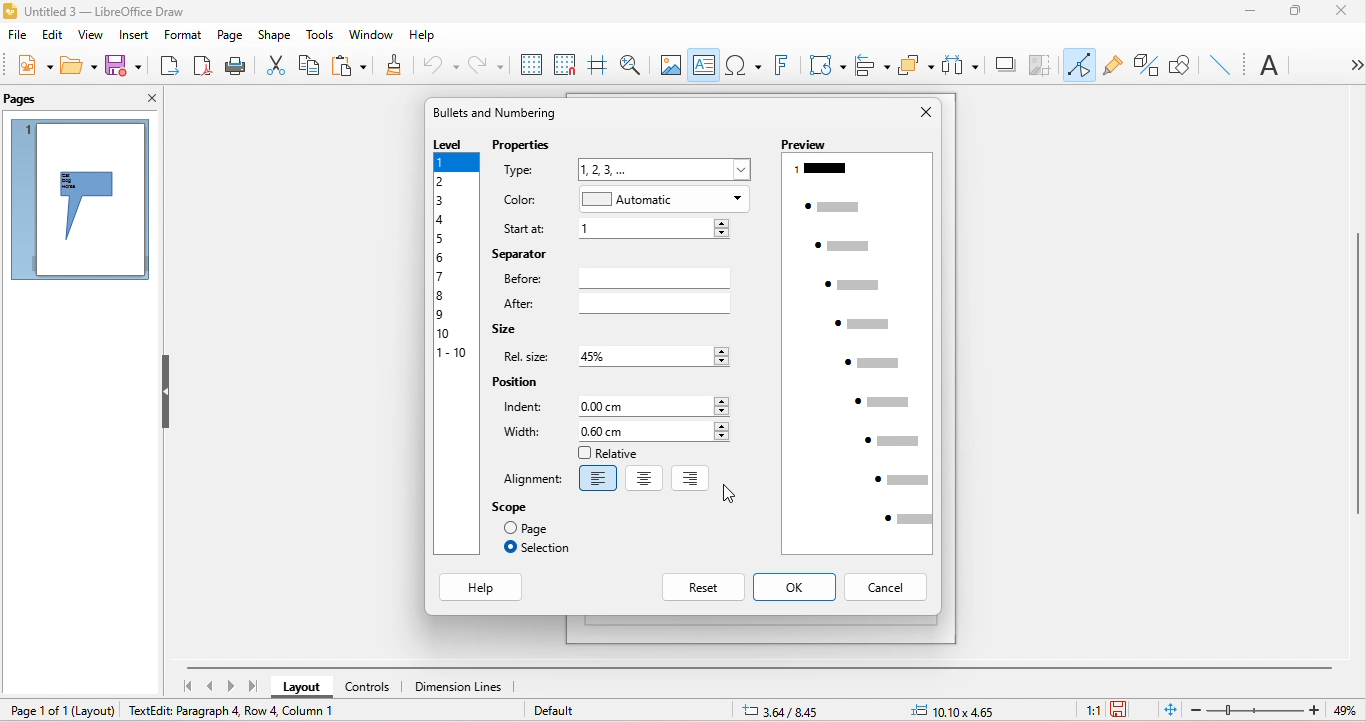  What do you see at coordinates (923, 114) in the screenshot?
I see `close` at bounding box center [923, 114].